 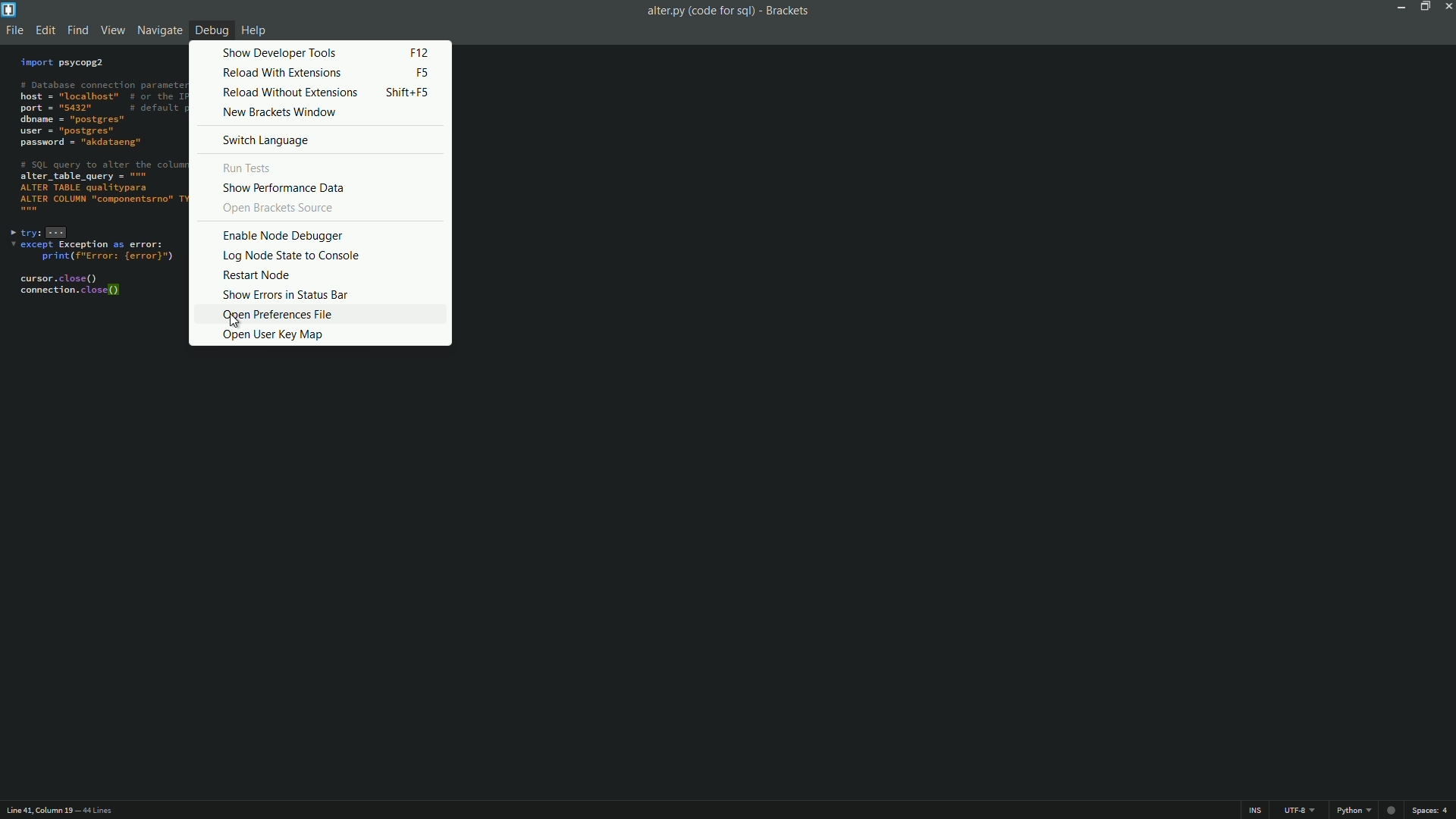 What do you see at coordinates (318, 276) in the screenshot?
I see `Restart node` at bounding box center [318, 276].